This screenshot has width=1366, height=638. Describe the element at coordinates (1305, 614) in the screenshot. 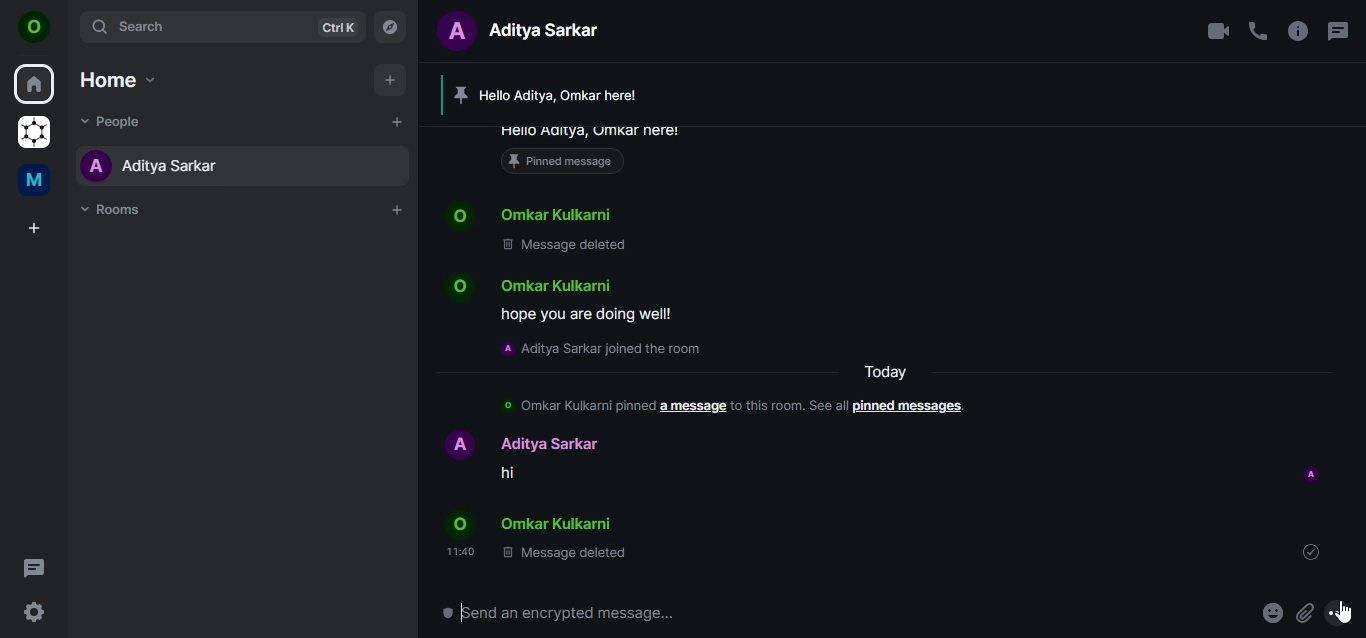

I see `attachments` at that location.